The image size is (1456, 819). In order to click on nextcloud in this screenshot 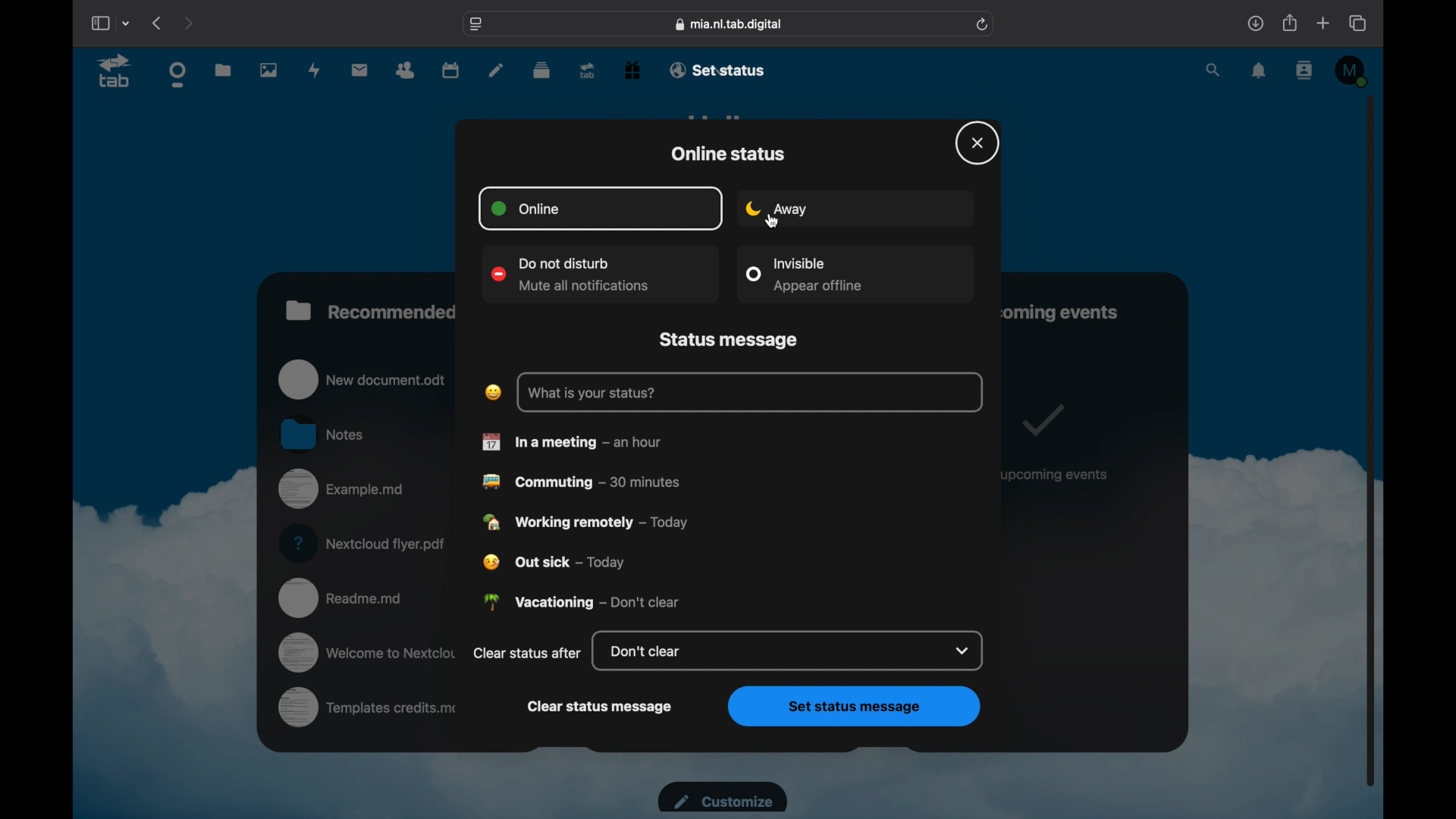, I will do `click(366, 543)`.